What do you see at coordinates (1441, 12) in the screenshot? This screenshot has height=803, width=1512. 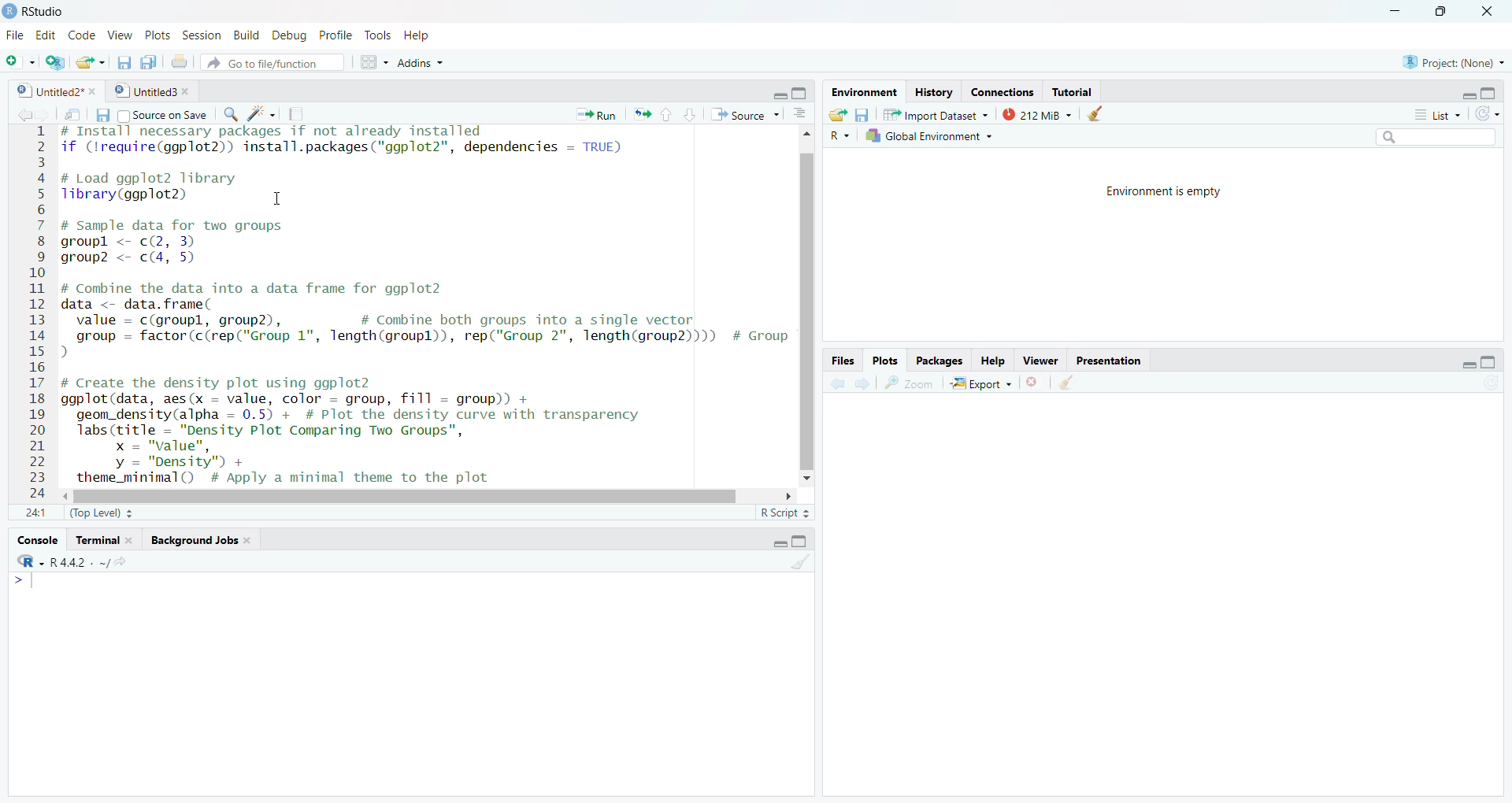 I see `maximize` at bounding box center [1441, 12].